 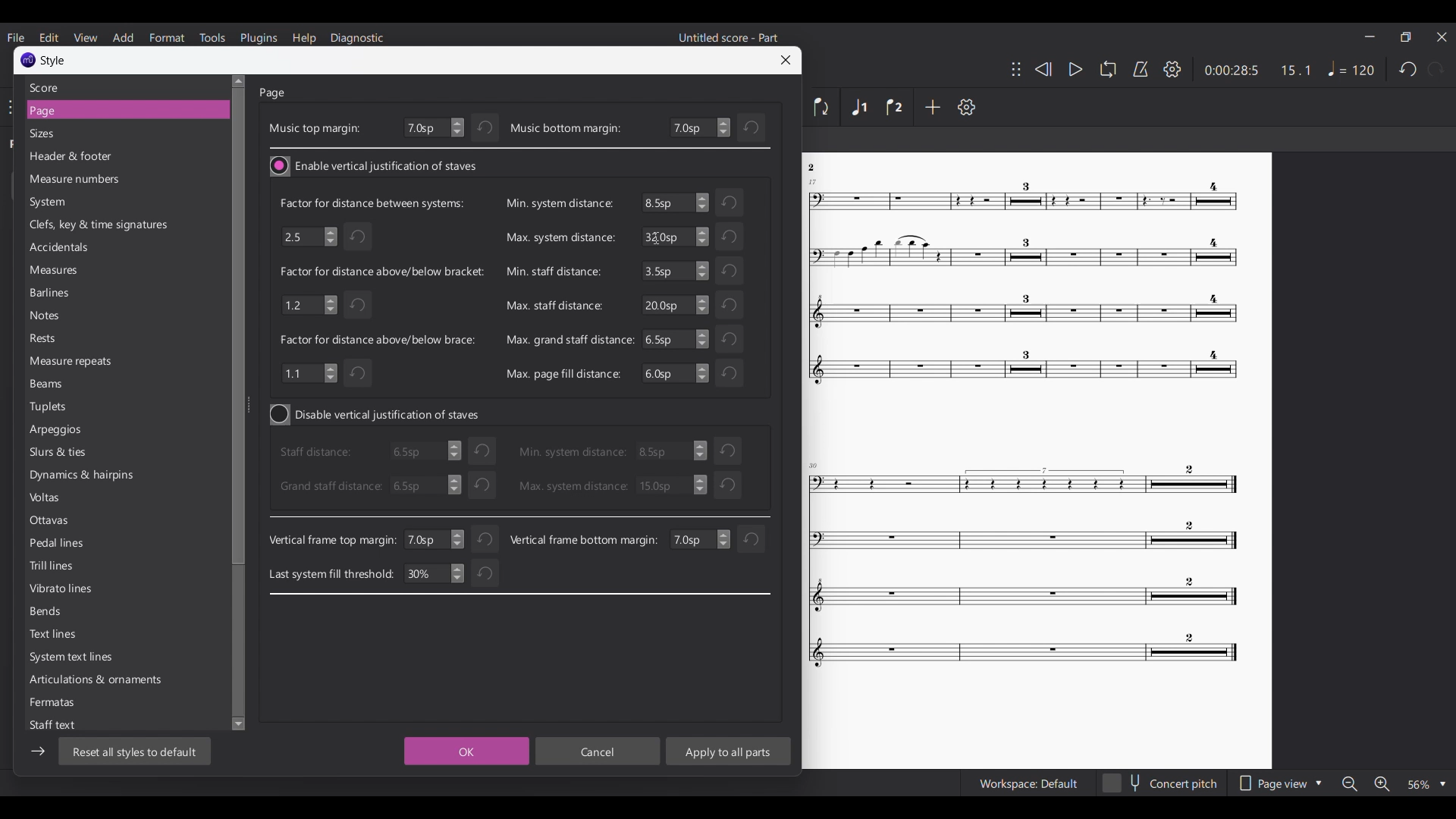 What do you see at coordinates (84, 479) in the screenshot?
I see `Dynamics & haipins` at bounding box center [84, 479].